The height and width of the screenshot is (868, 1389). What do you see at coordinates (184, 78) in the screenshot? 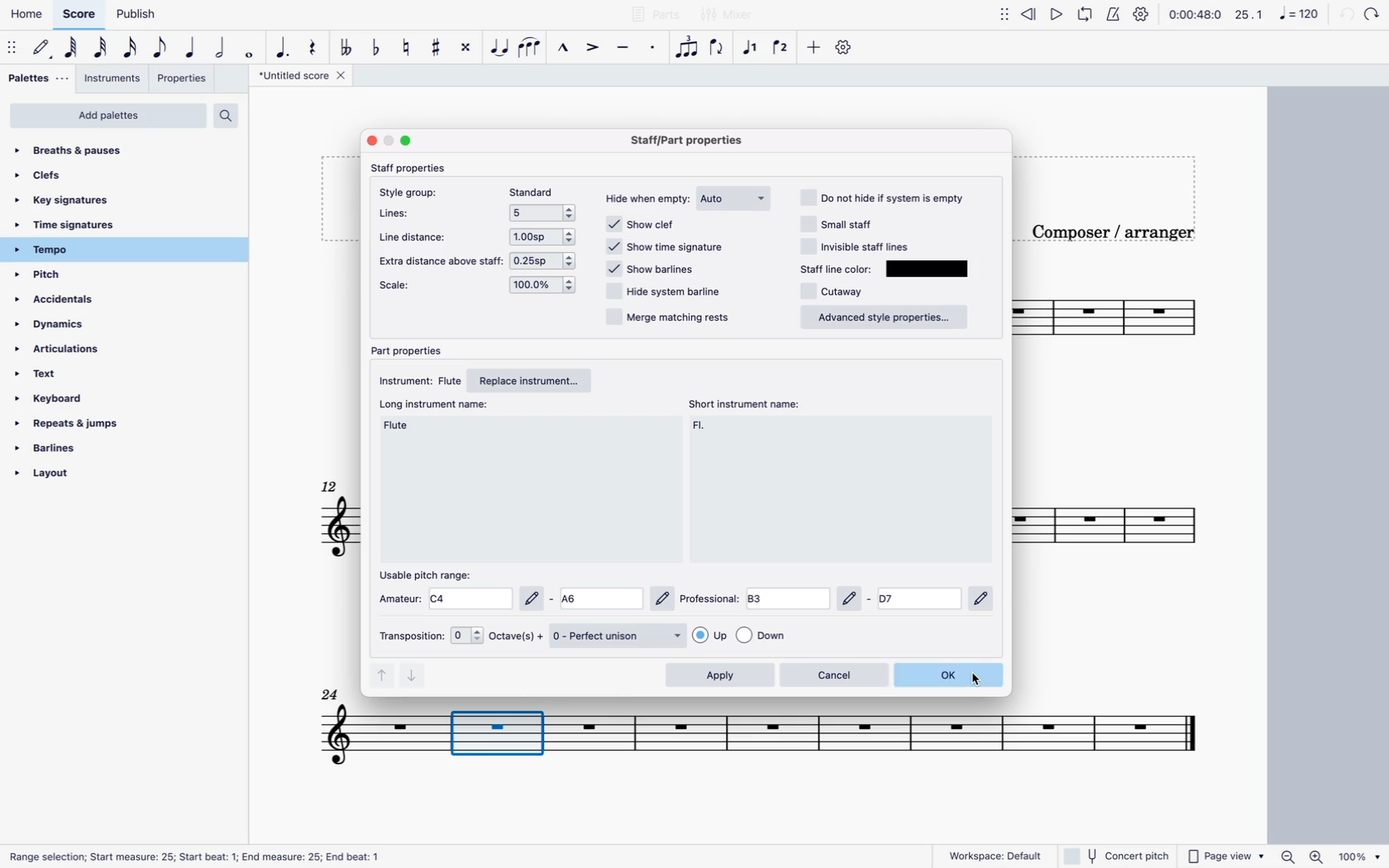
I see `properties` at bounding box center [184, 78].